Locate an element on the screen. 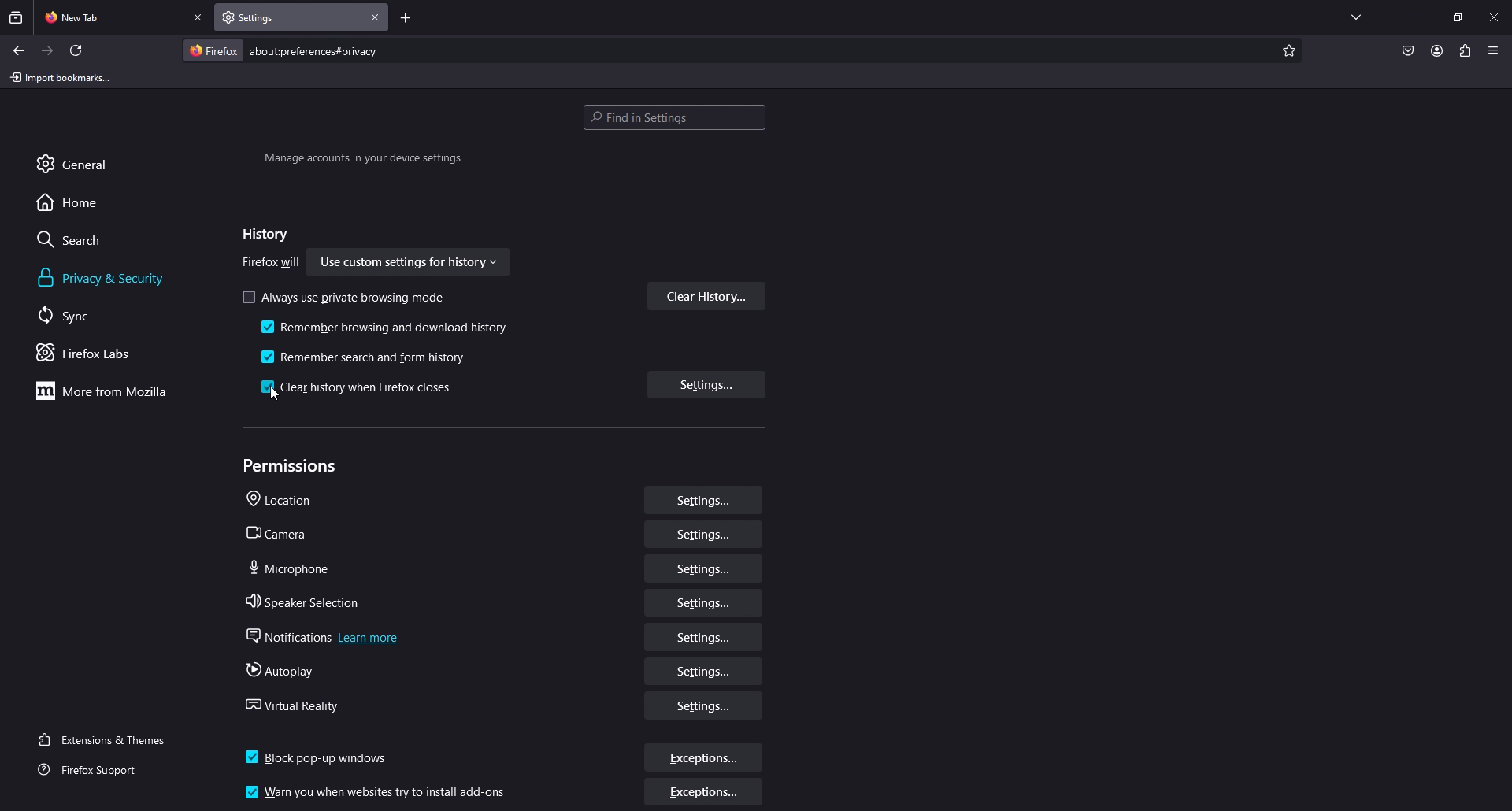 The image size is (1512, 811). firefox logo is located at coordinates (213, 50).